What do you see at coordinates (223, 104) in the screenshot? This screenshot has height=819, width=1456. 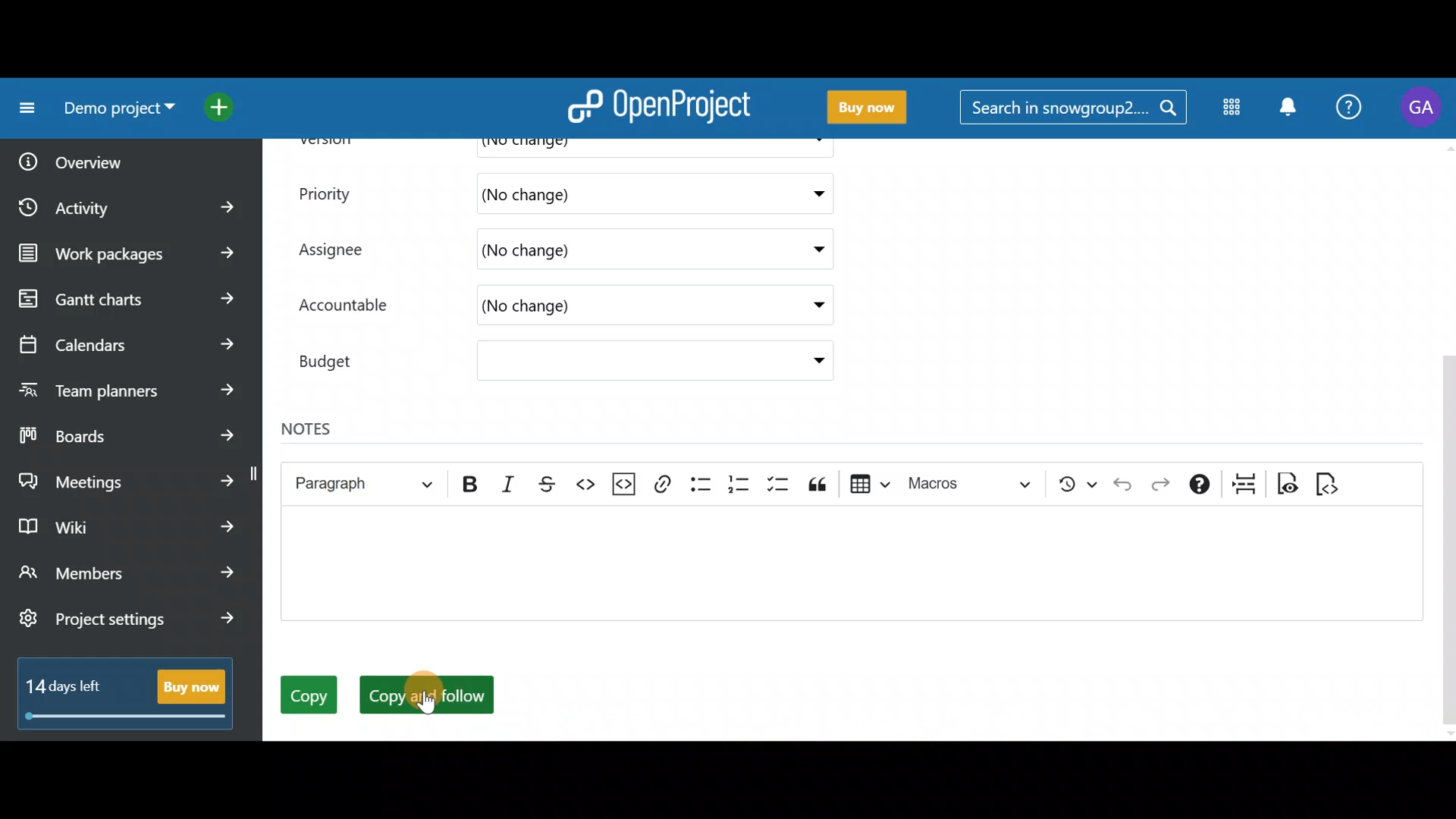 I see `Open quick add menu` at bounding box center [223, 104].